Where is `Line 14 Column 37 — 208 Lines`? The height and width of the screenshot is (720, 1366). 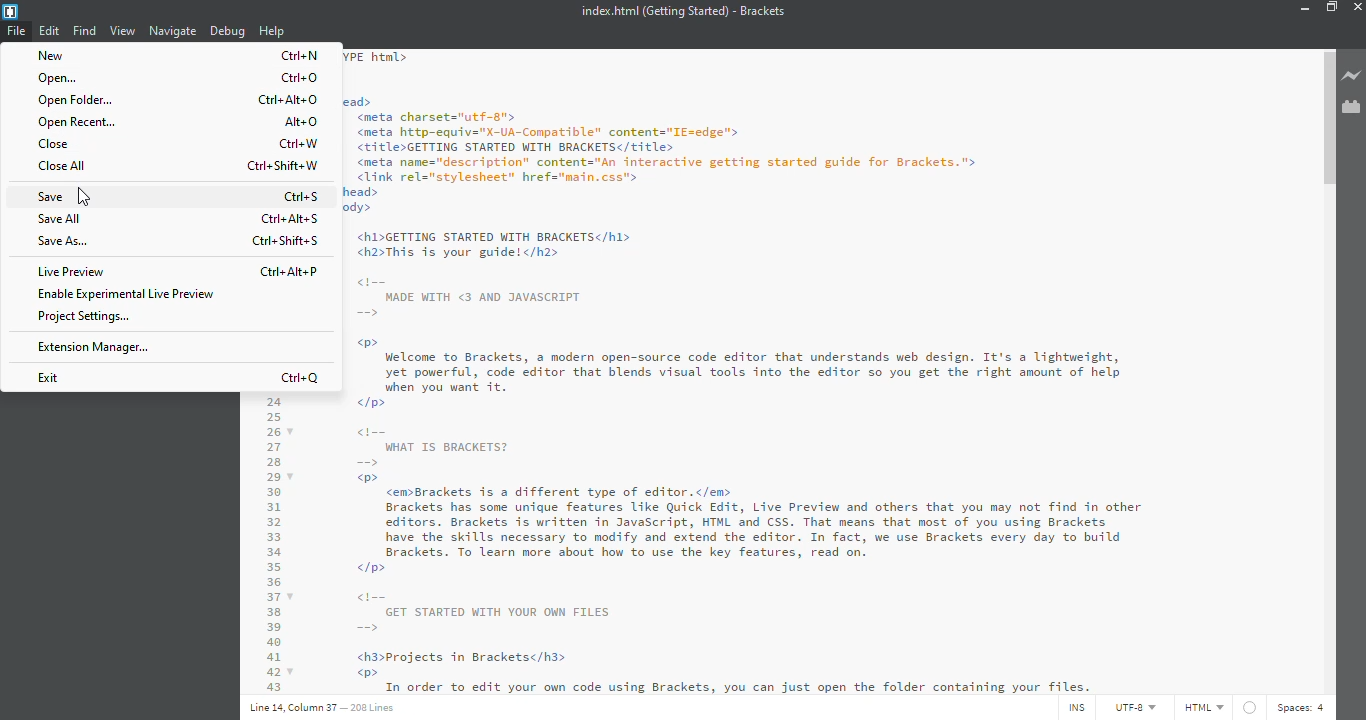
Line 14 Column 37 — 208 Lines is located at coordinates (324, 707).